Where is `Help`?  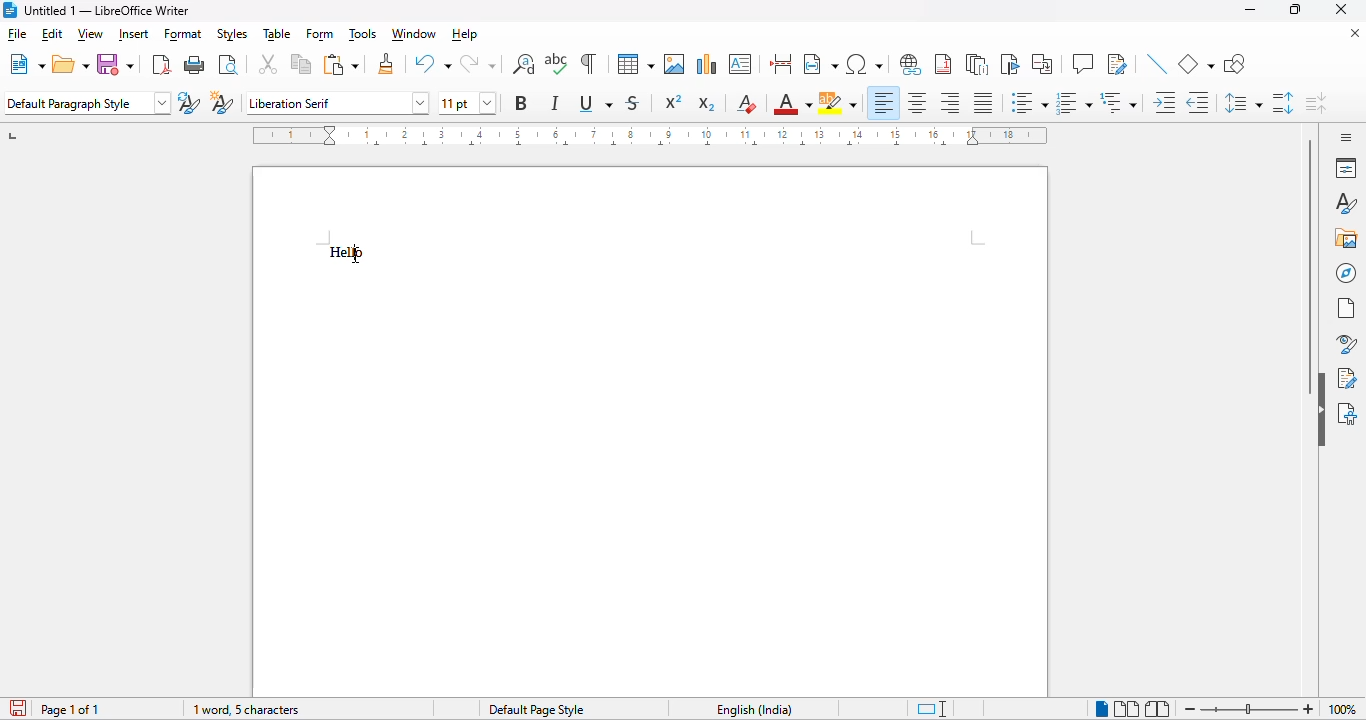 Help is located at coordinates (651, 429).